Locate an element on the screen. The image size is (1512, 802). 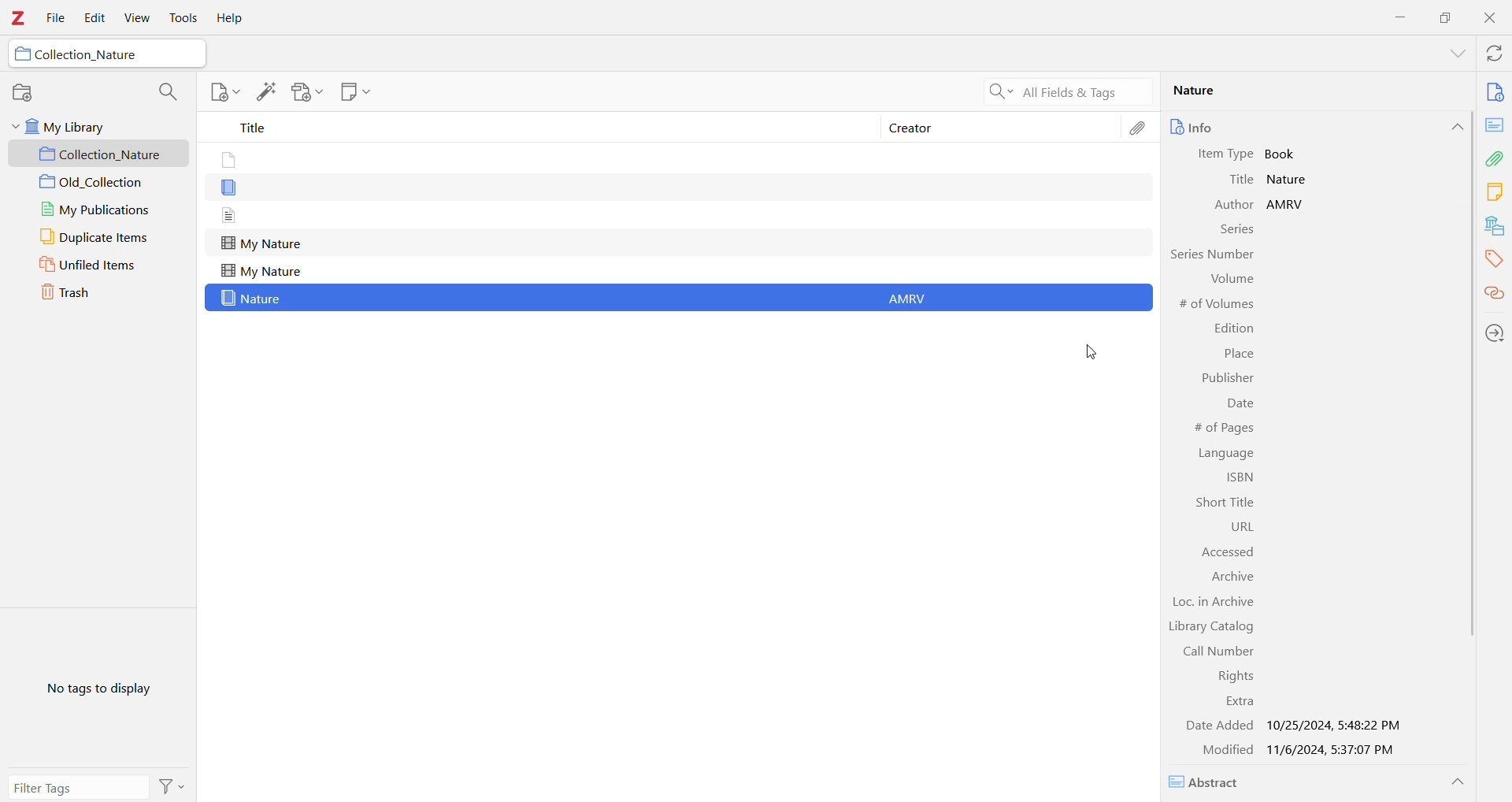
item without title  is located at coordinates (227, 161).